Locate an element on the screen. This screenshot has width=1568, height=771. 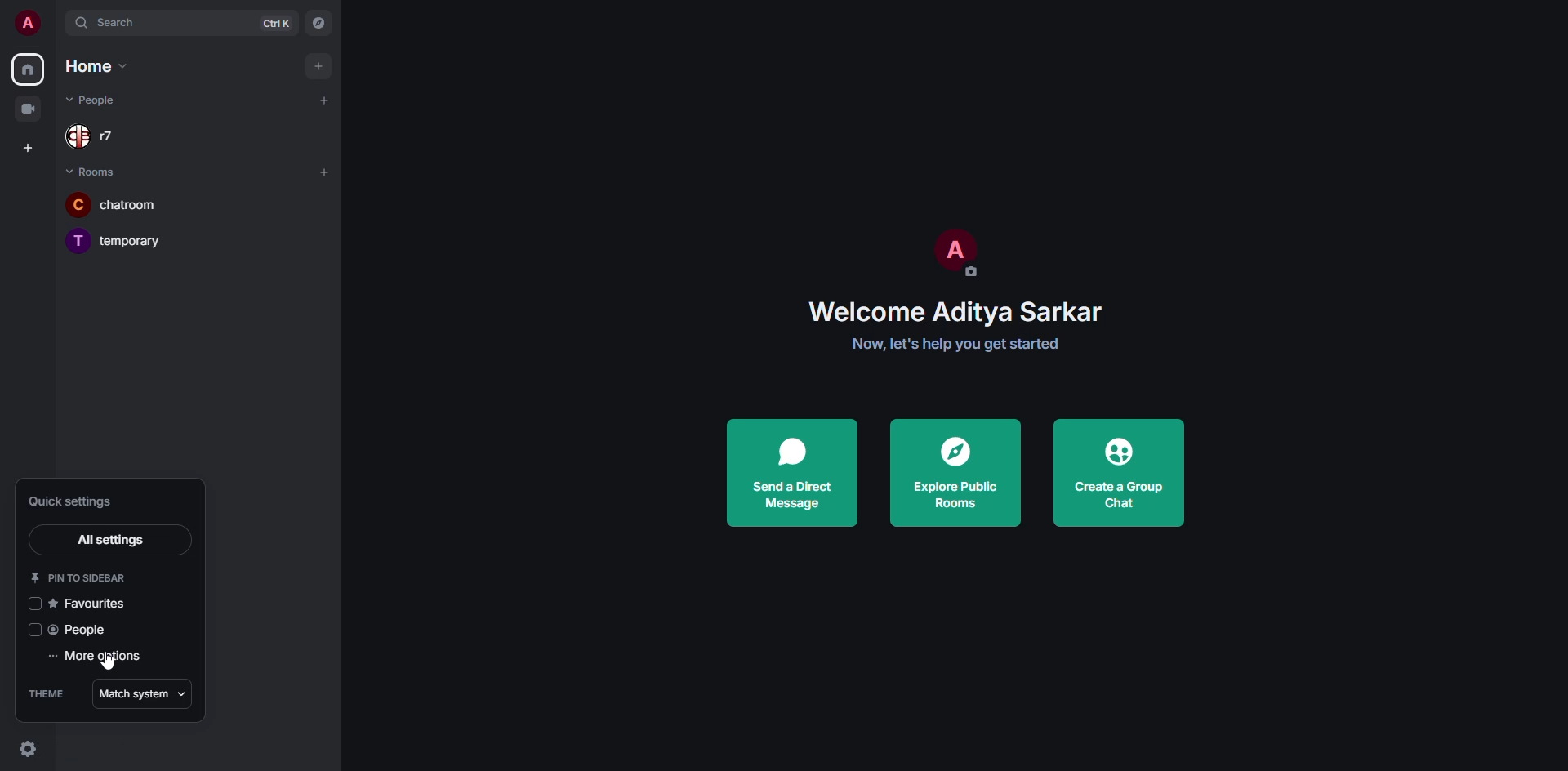
navigator is located at coordinates (319, 25).